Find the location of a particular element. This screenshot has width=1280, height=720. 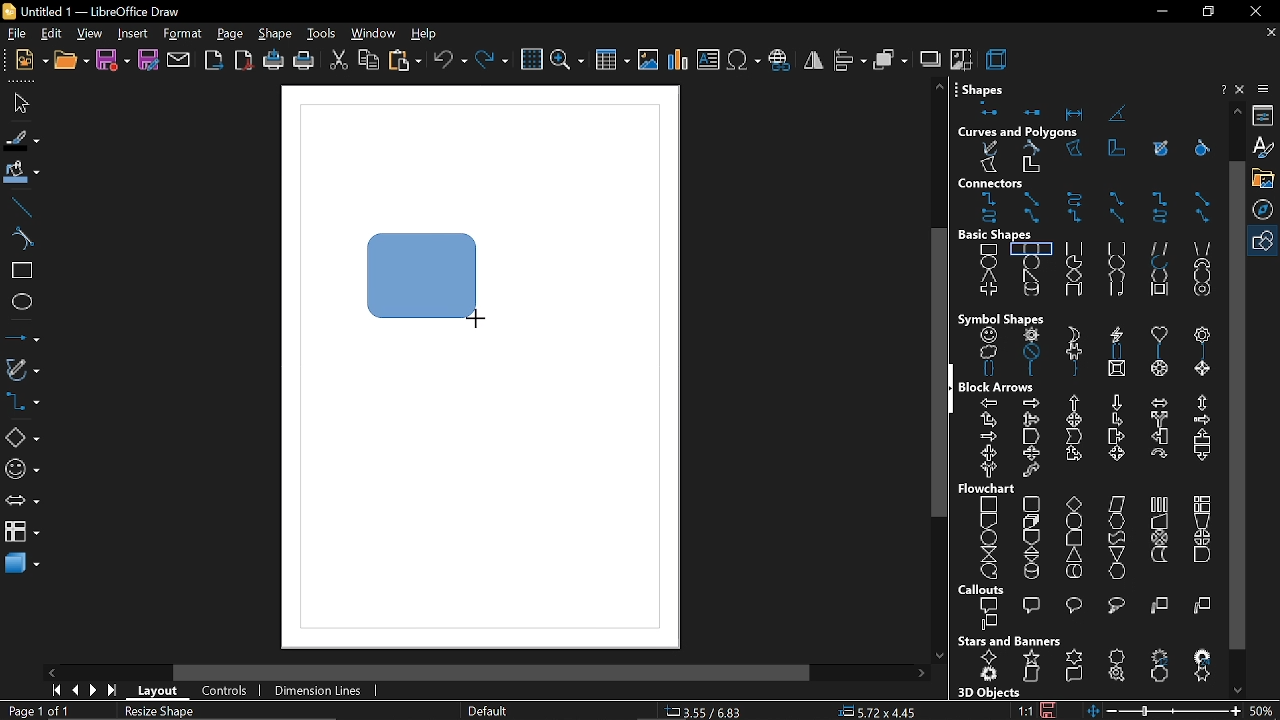

insert is located at coordinates (132, 35).